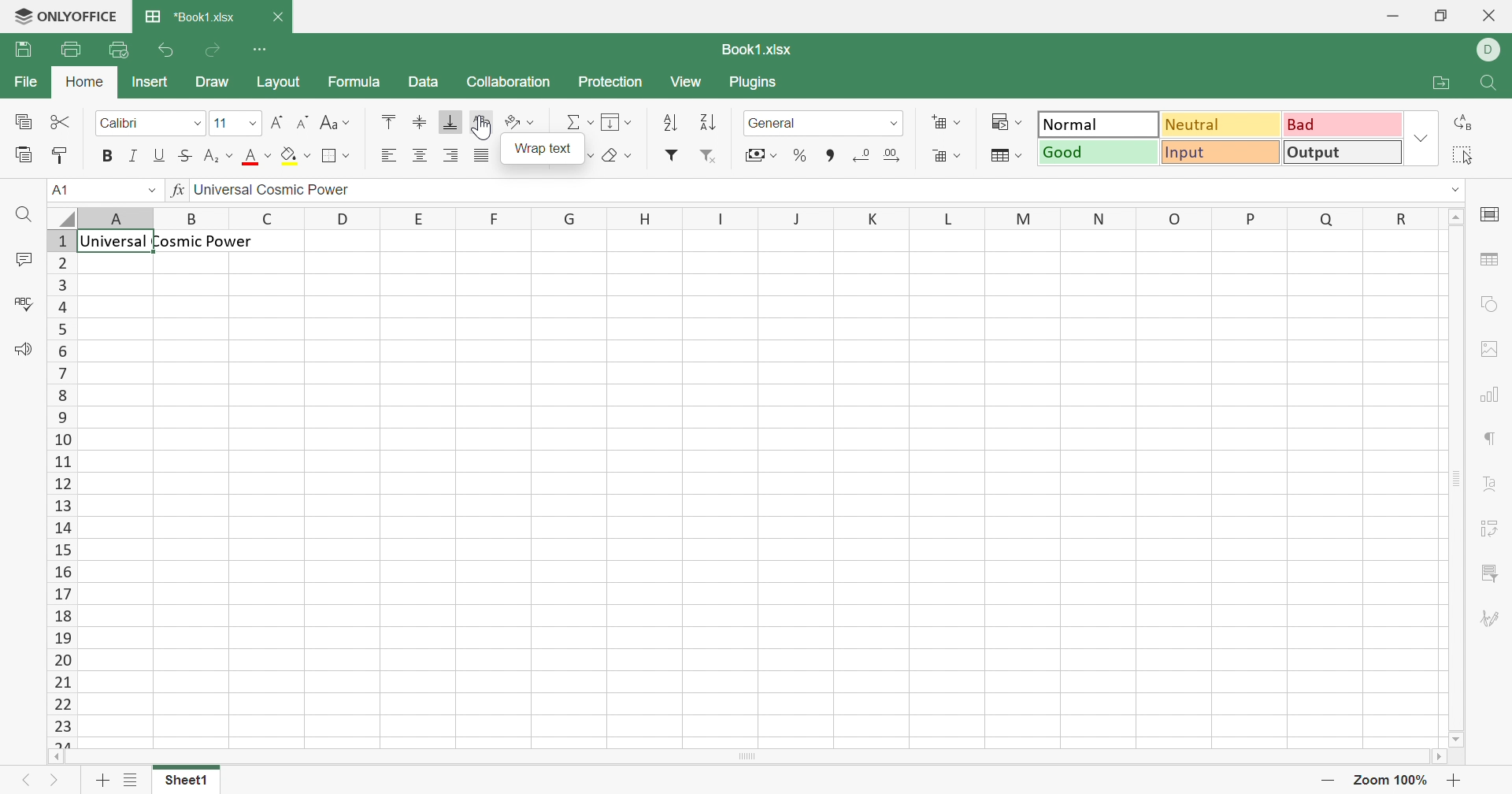 The height and width of the screenshot is (794, 1512). I want to click on 11, so click(225, 124).